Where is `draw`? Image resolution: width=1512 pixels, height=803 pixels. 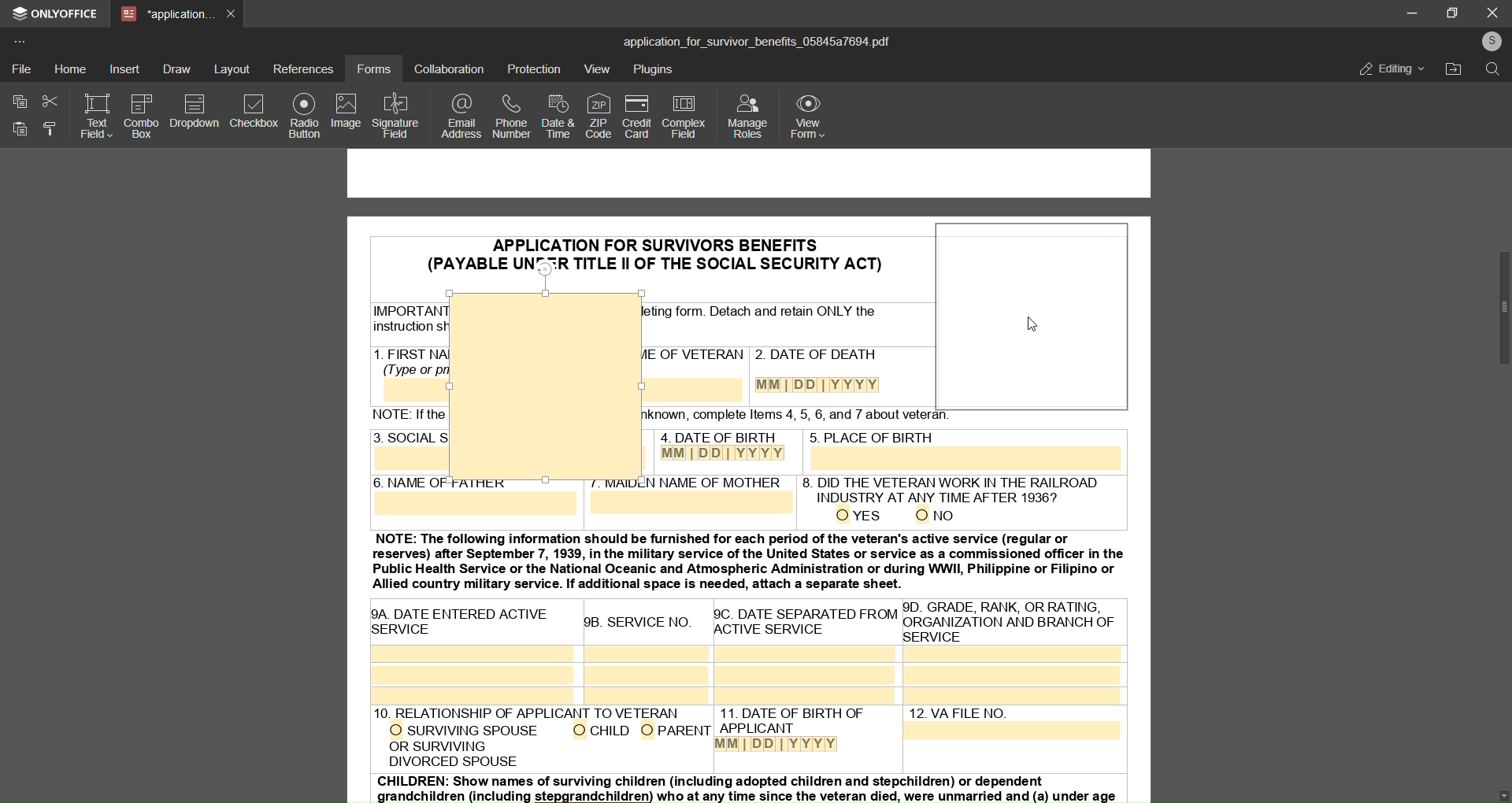
draw is located at coordinates (176, 68).